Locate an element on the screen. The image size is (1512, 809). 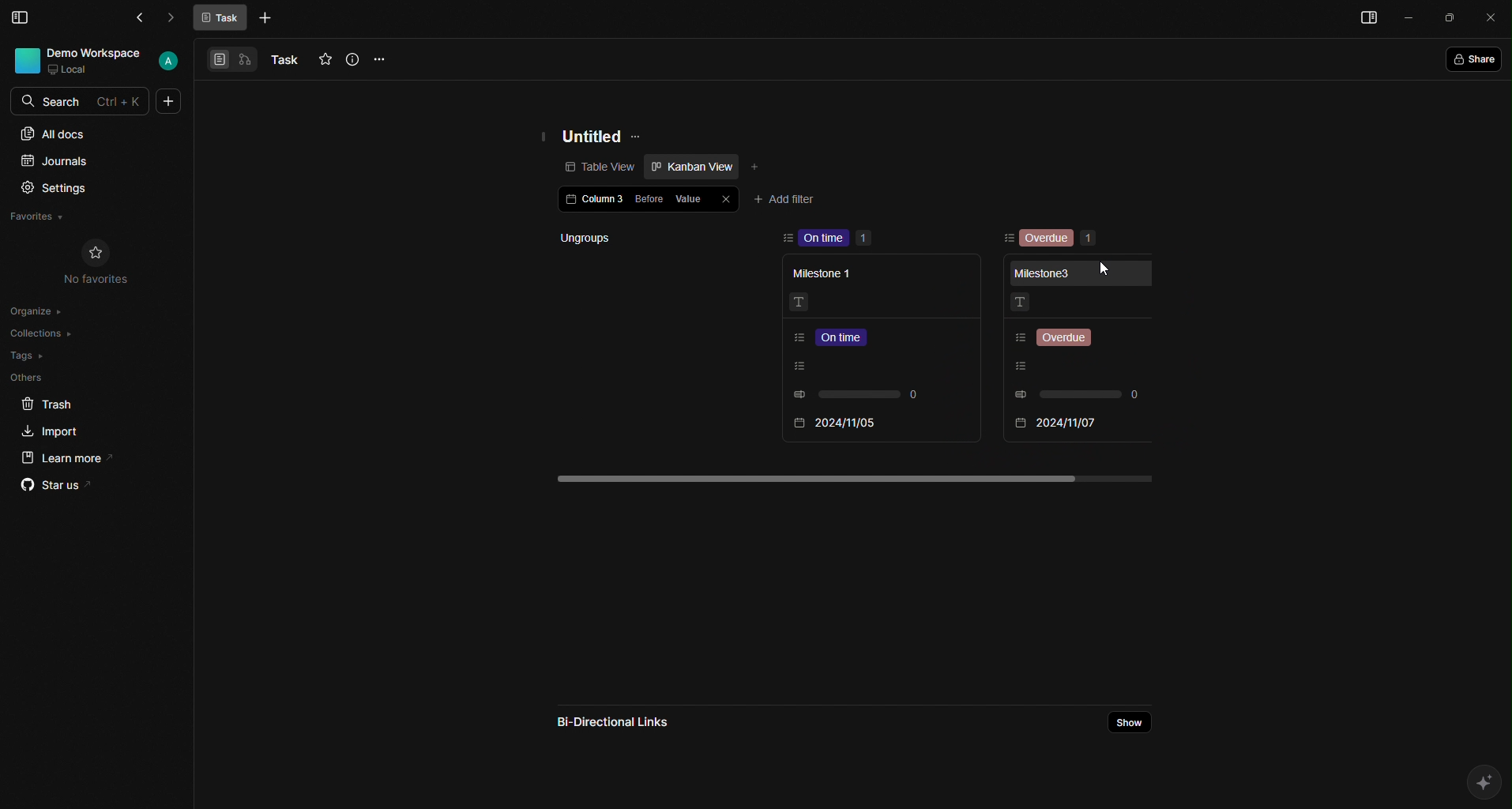
Collections is located at coordinates (44, 335).